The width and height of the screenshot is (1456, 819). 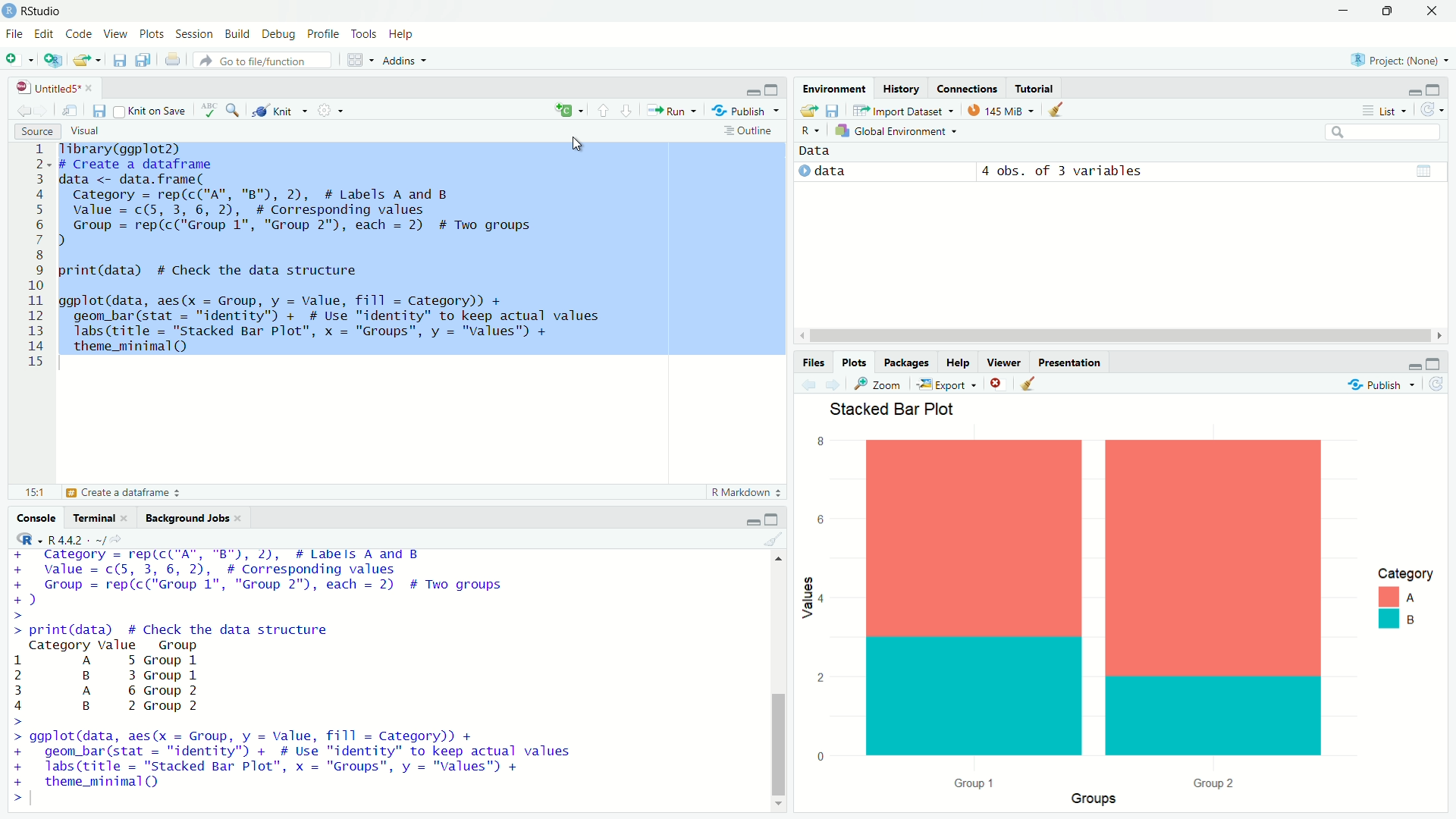 What do you see at coordinates (1434, 108) in the screenshot?
I see `Refresh the list of objects in the environment` at bounding box center [1434, 108].